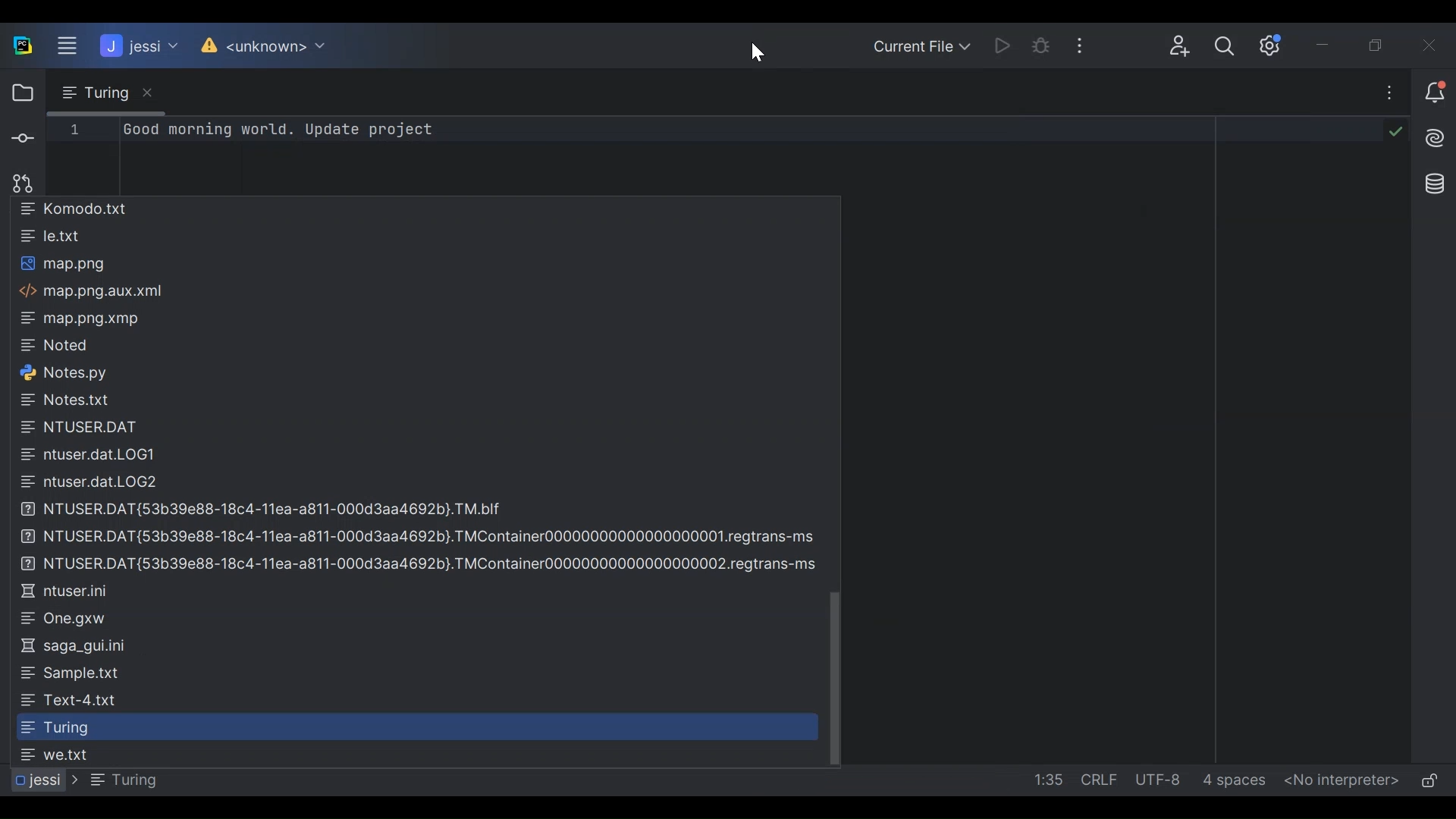 The width and height of the screenshot is (1456, 819). I want to click on CRLF, so click(1098, 780).